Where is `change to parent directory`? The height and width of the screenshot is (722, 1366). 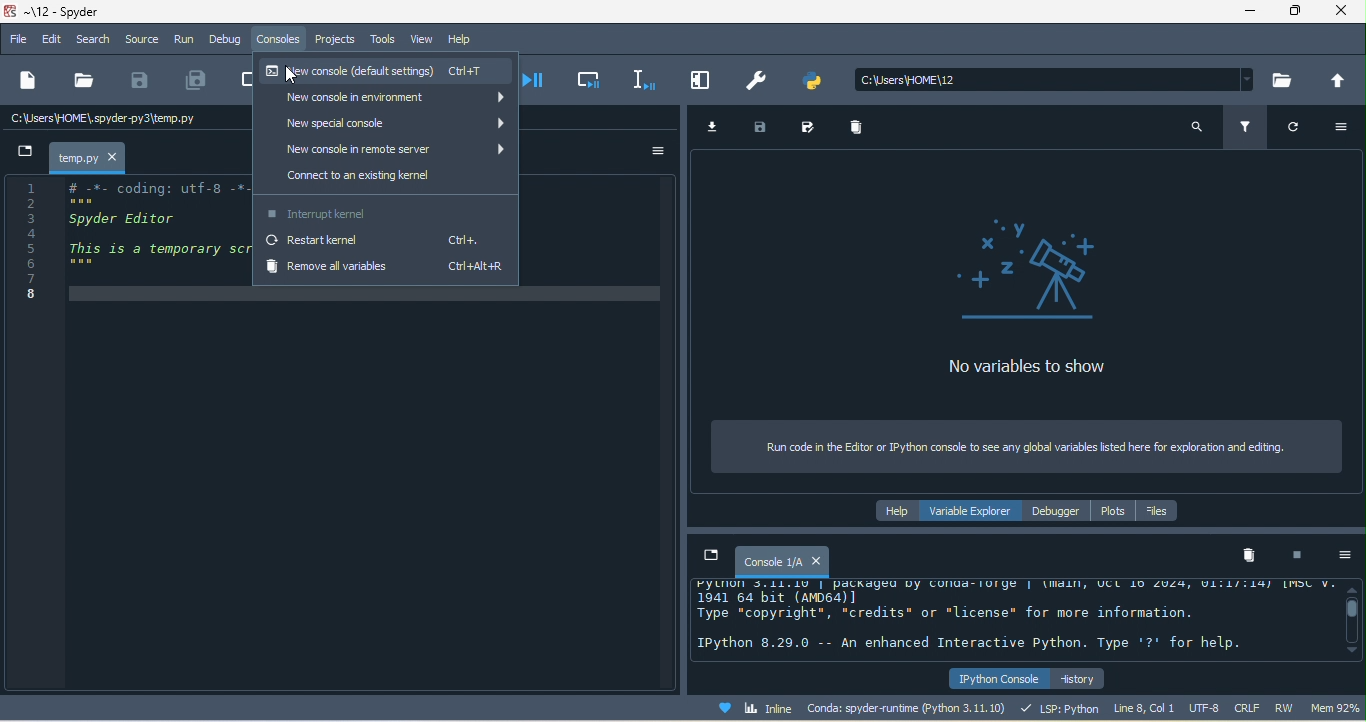
change to parent directory is located at coordinates (1340, 81).